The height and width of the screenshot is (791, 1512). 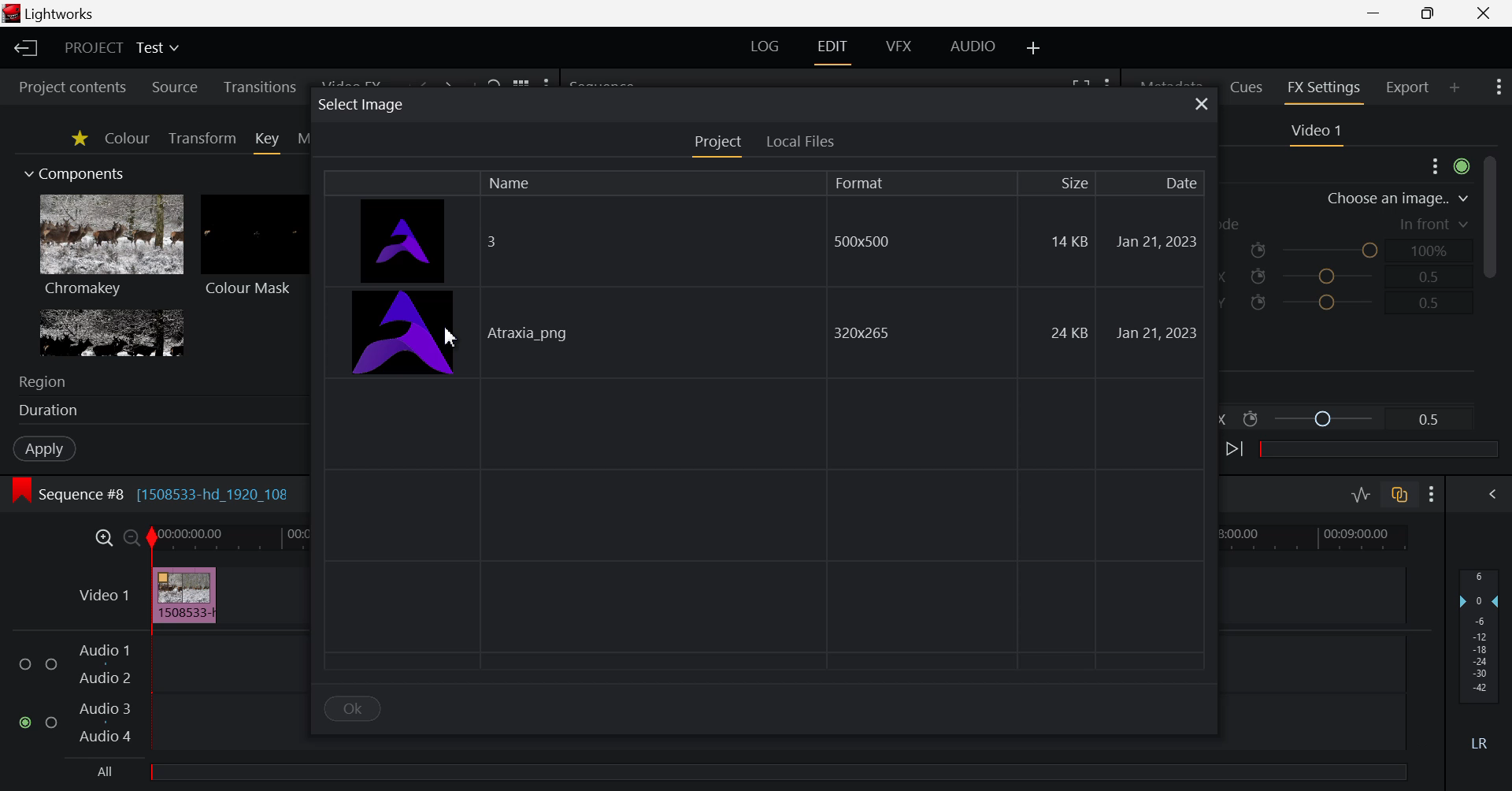 I want to click on choose an image, so click(x=1397, y=199).